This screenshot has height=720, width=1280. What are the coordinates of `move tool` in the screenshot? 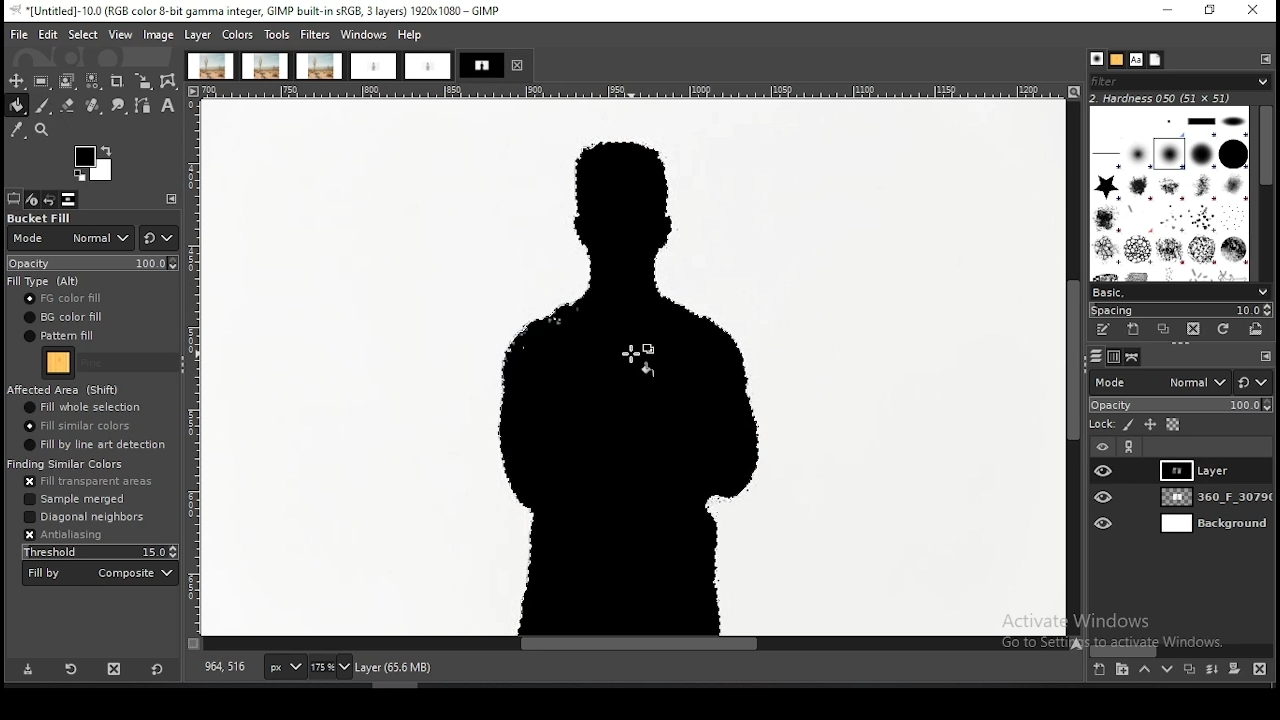 It's located at (16, 81).